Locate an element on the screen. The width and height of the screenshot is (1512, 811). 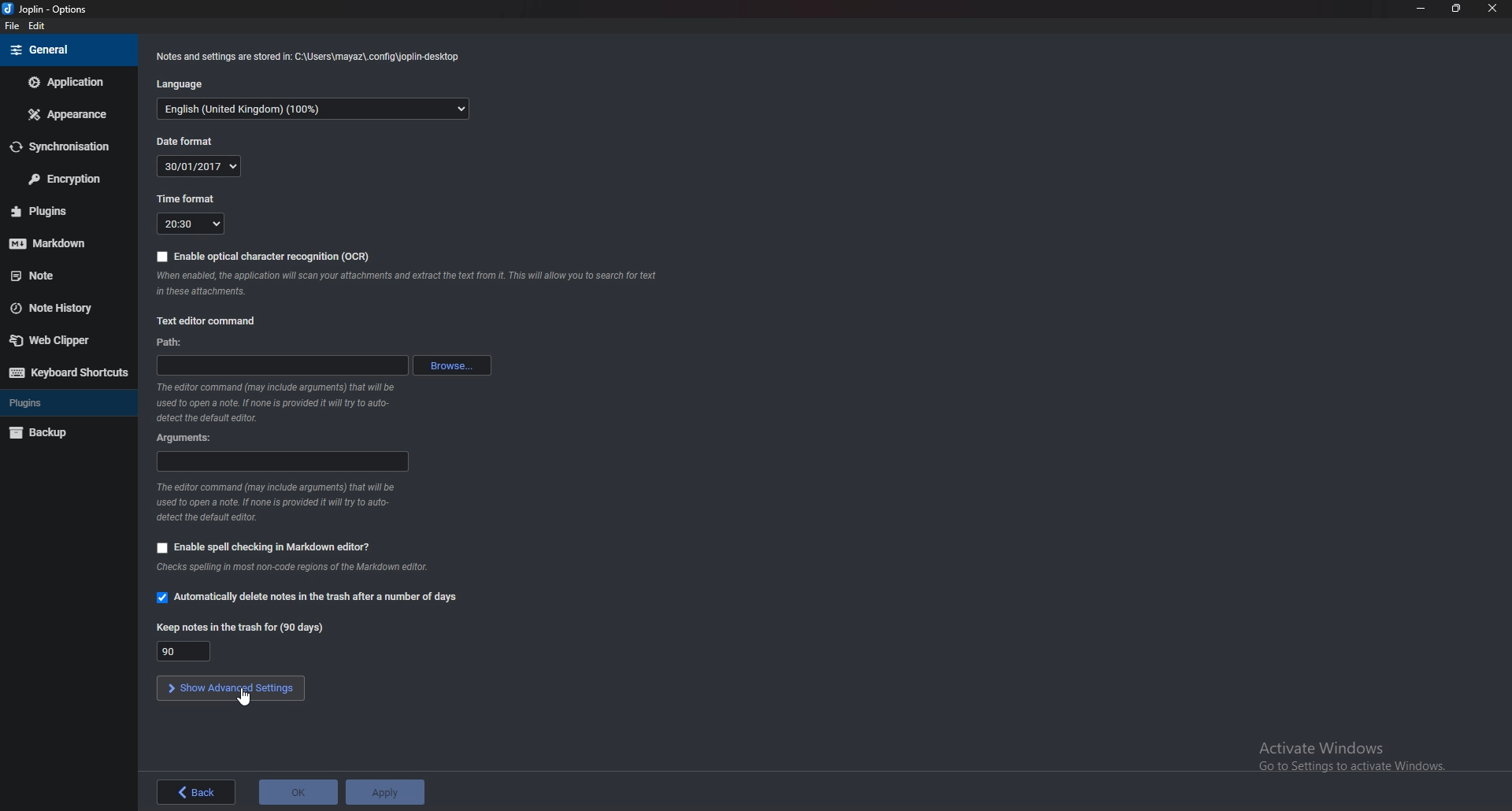
path is located at coordinates (281, 366).